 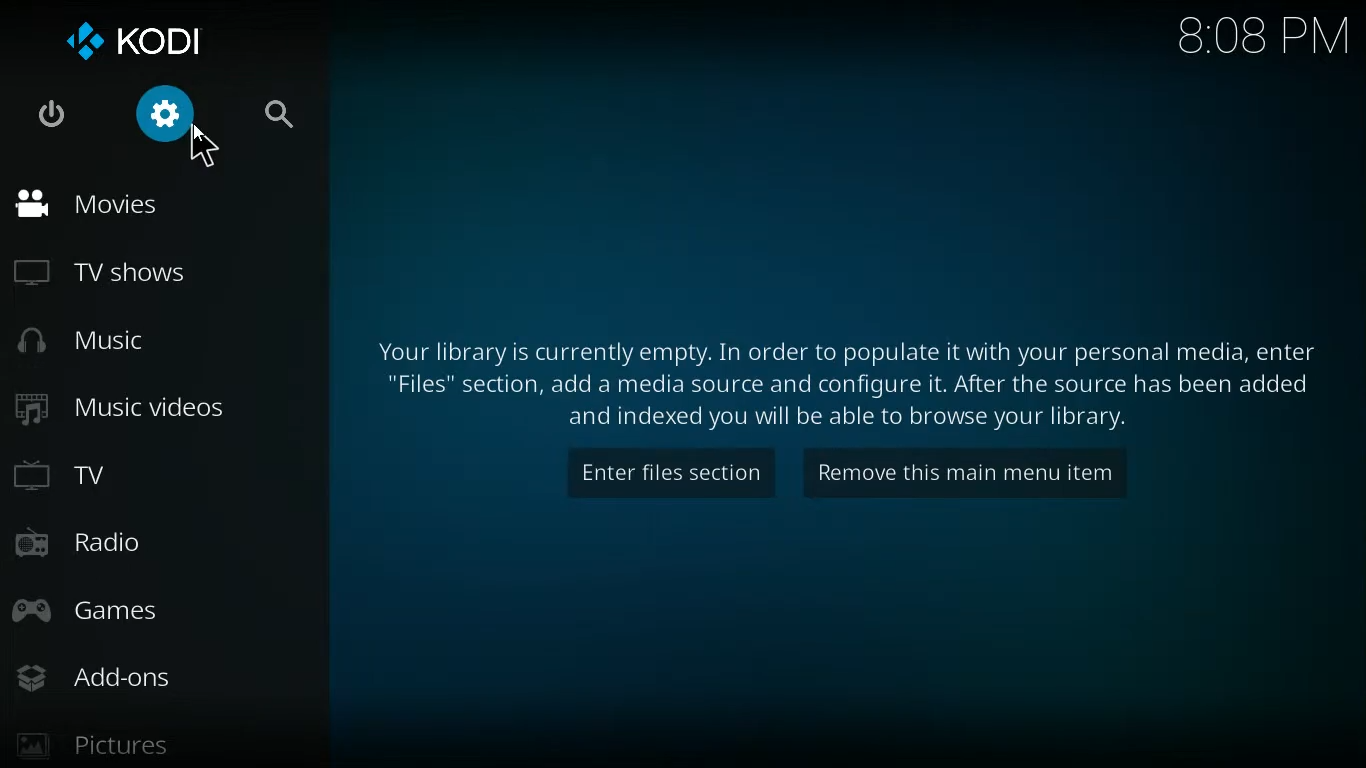 I want to click on enter files section, so click(x=668, y=475).